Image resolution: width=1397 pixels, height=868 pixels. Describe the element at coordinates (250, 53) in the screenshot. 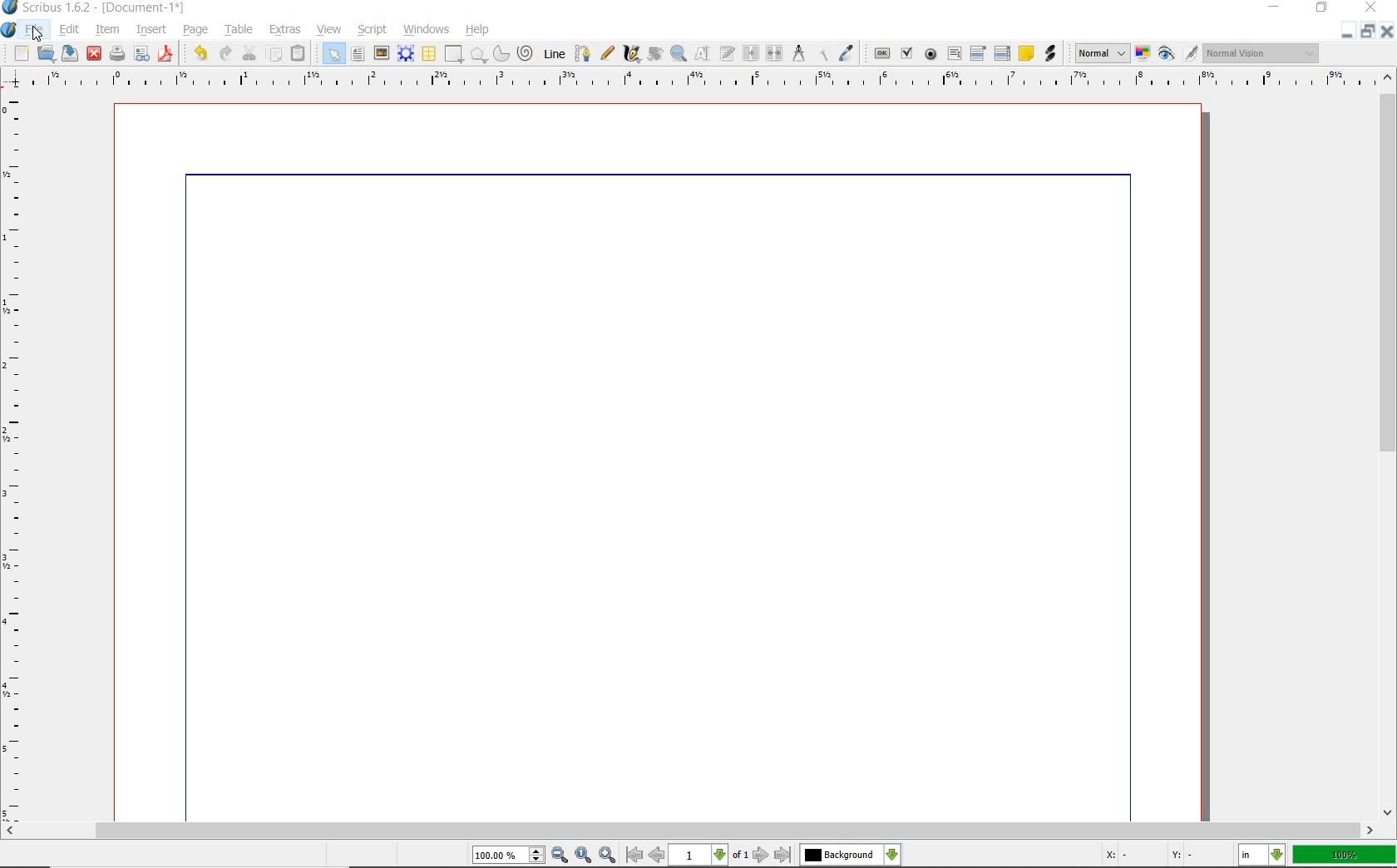

I see `cut` at that location.